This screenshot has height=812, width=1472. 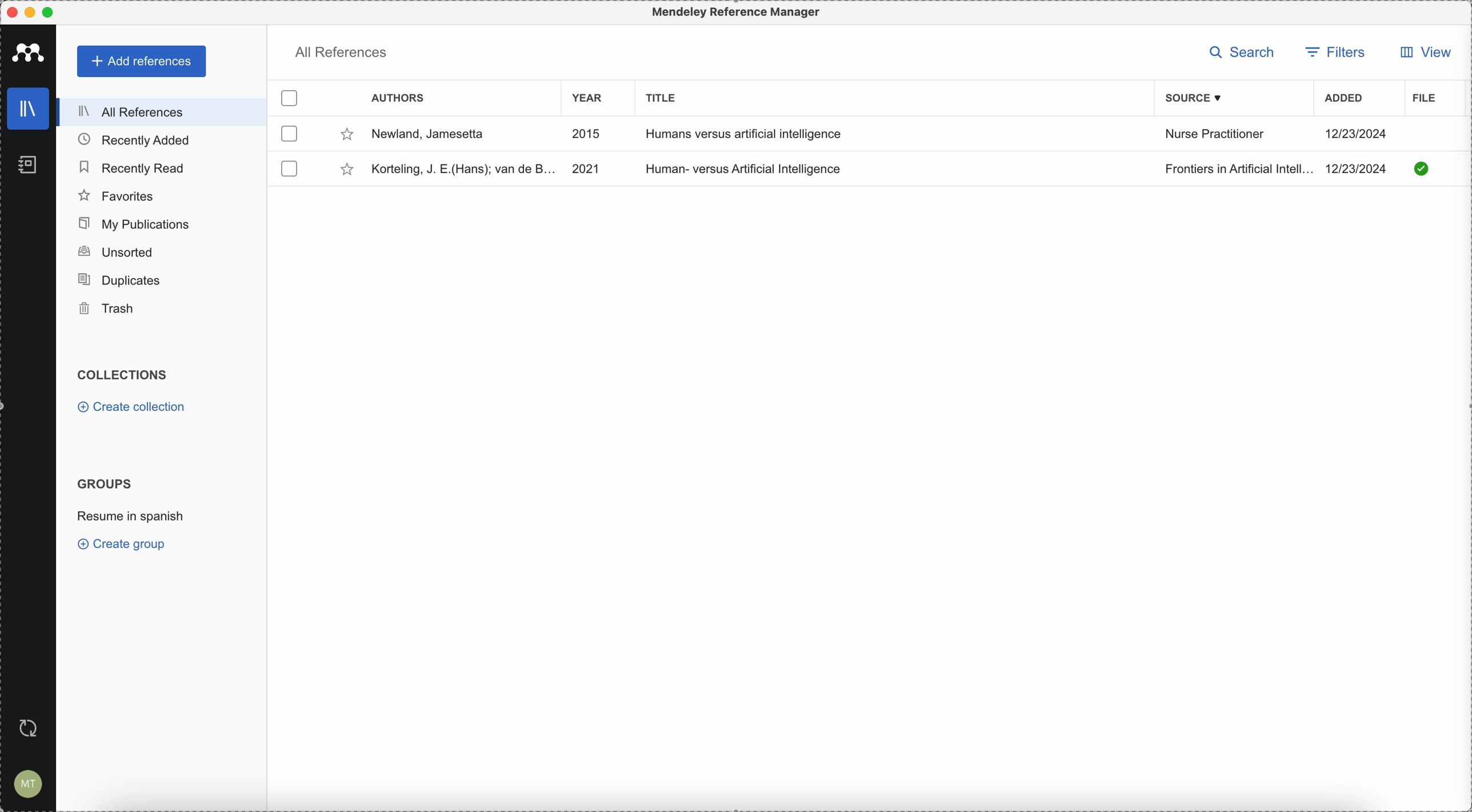 What do you see at coordinates (29, 52) in the screenshot?
I see `Mendeley logo` at bounding box center [29, 52].